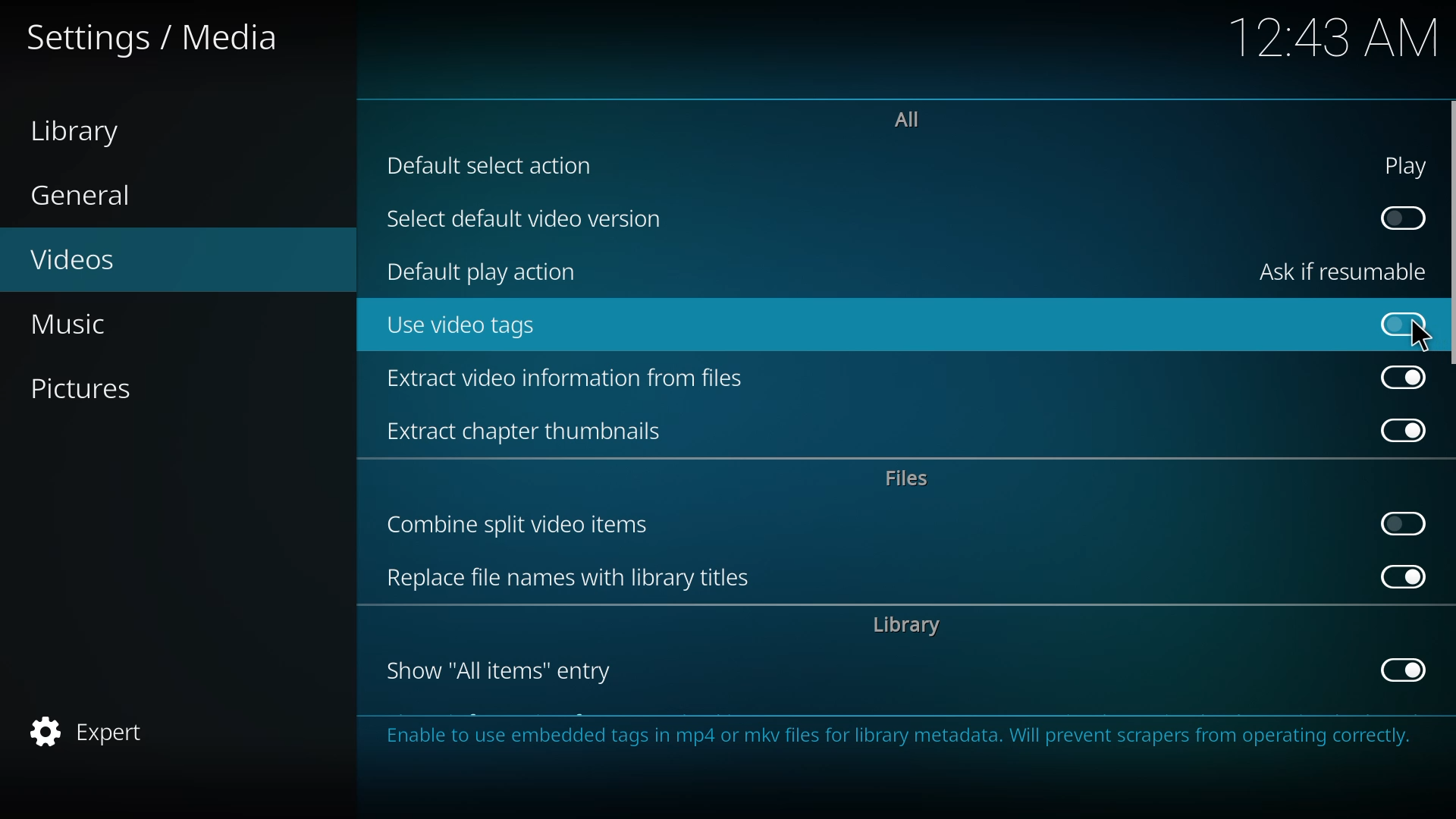  I want to click on music, so click(80, 326).